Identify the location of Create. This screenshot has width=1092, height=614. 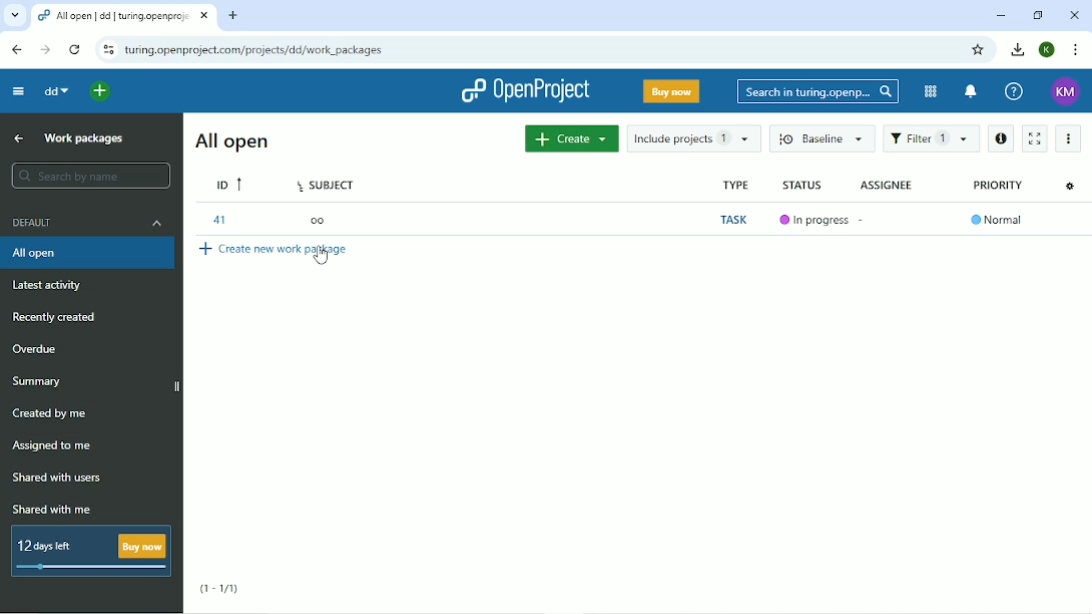
(571, 139).